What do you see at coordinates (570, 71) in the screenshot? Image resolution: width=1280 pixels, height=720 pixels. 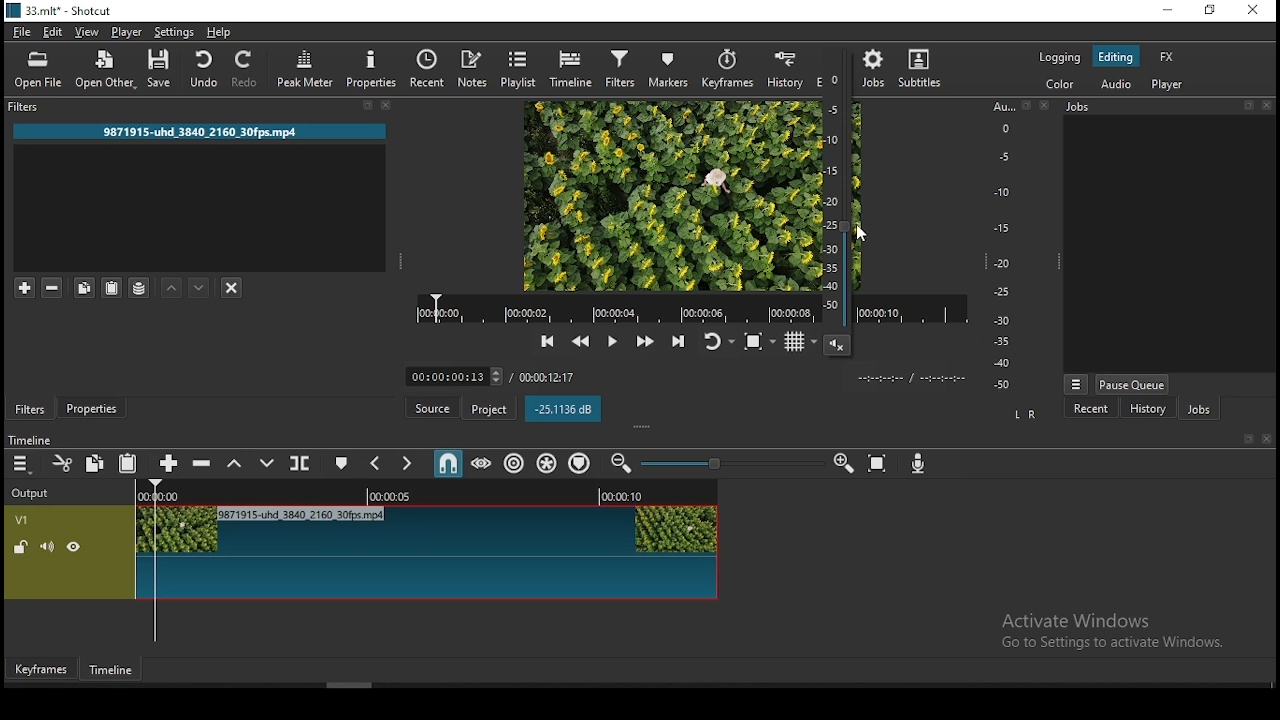 I see `timeline` at bounding box center [570, 71].